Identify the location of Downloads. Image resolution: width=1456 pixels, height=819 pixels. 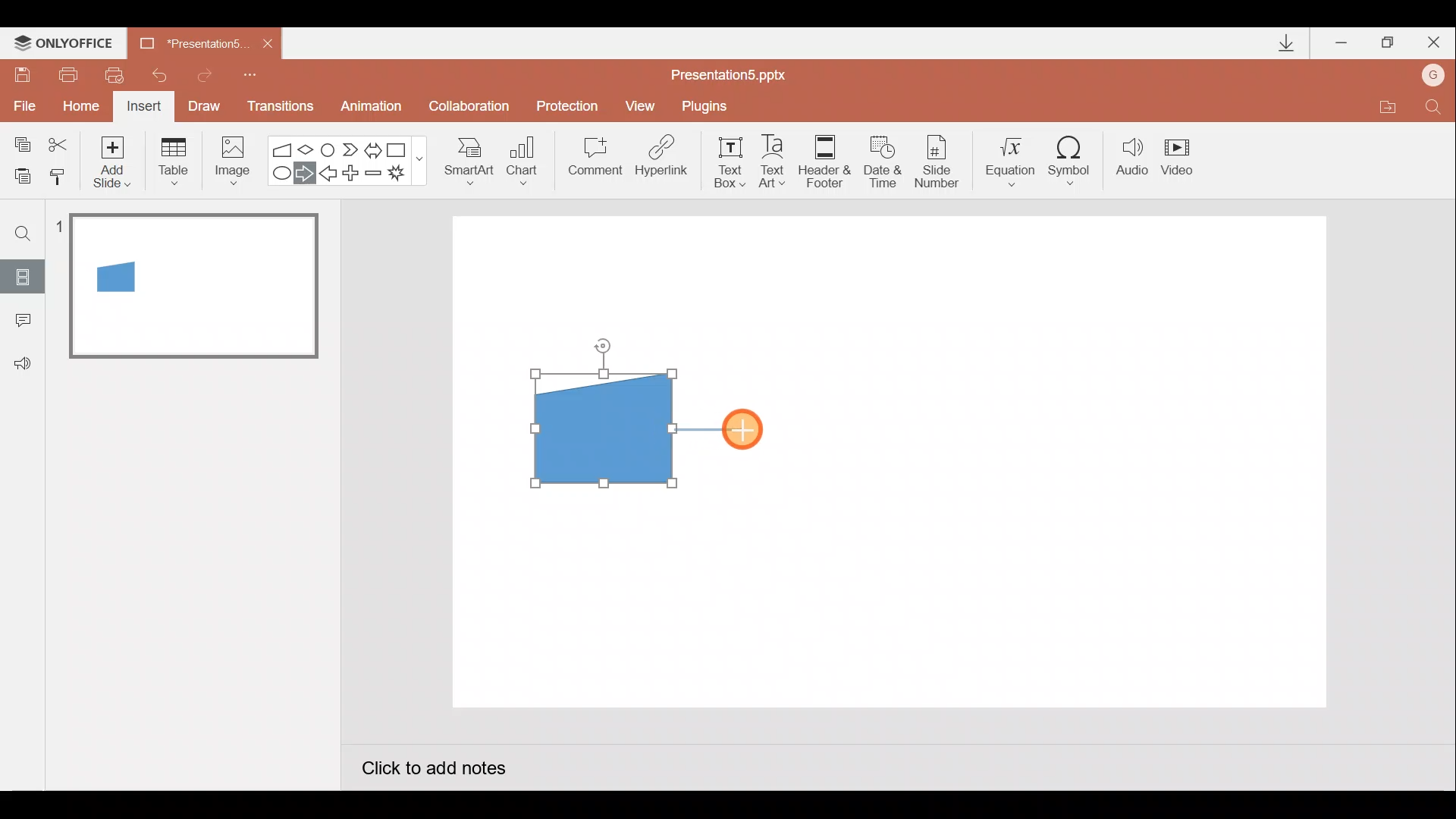
(1284, 44).